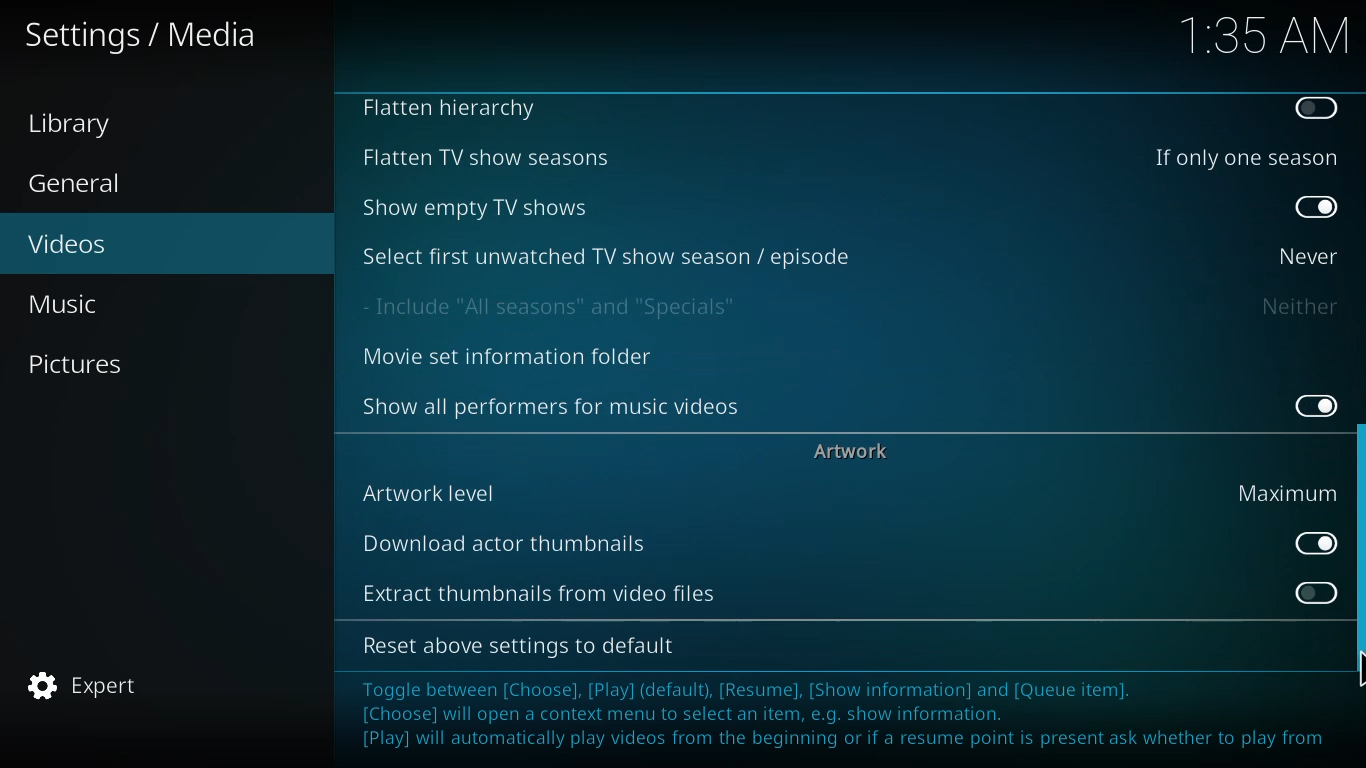 The height and width of the screenshot is (768, 1366). What do you see at coordinates (557, 306) in the screenshot?
I see `include all` at bounding box center [557, 306].